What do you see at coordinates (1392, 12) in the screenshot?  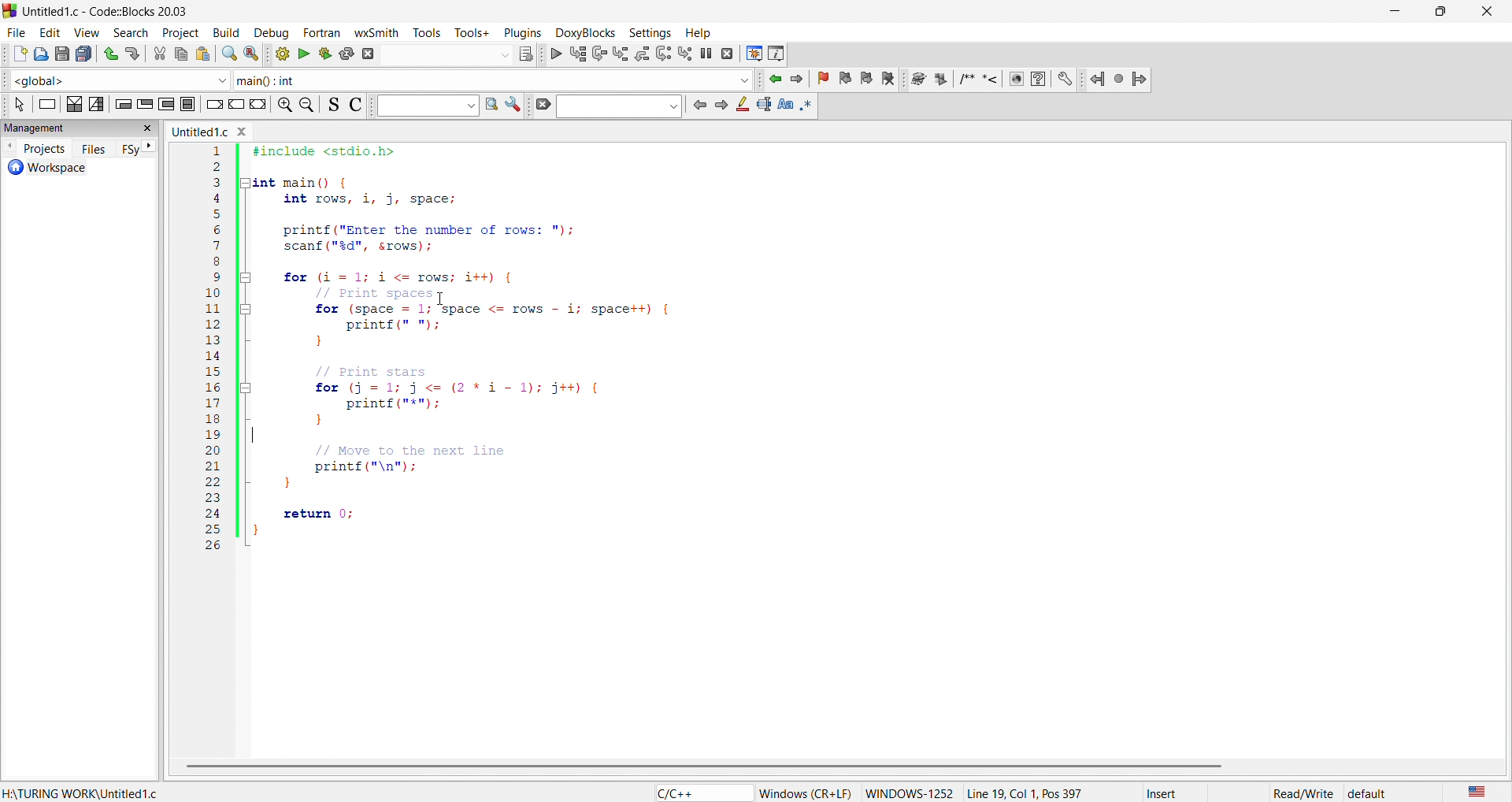 I see `minimize` at bounding box center [1392, 12].